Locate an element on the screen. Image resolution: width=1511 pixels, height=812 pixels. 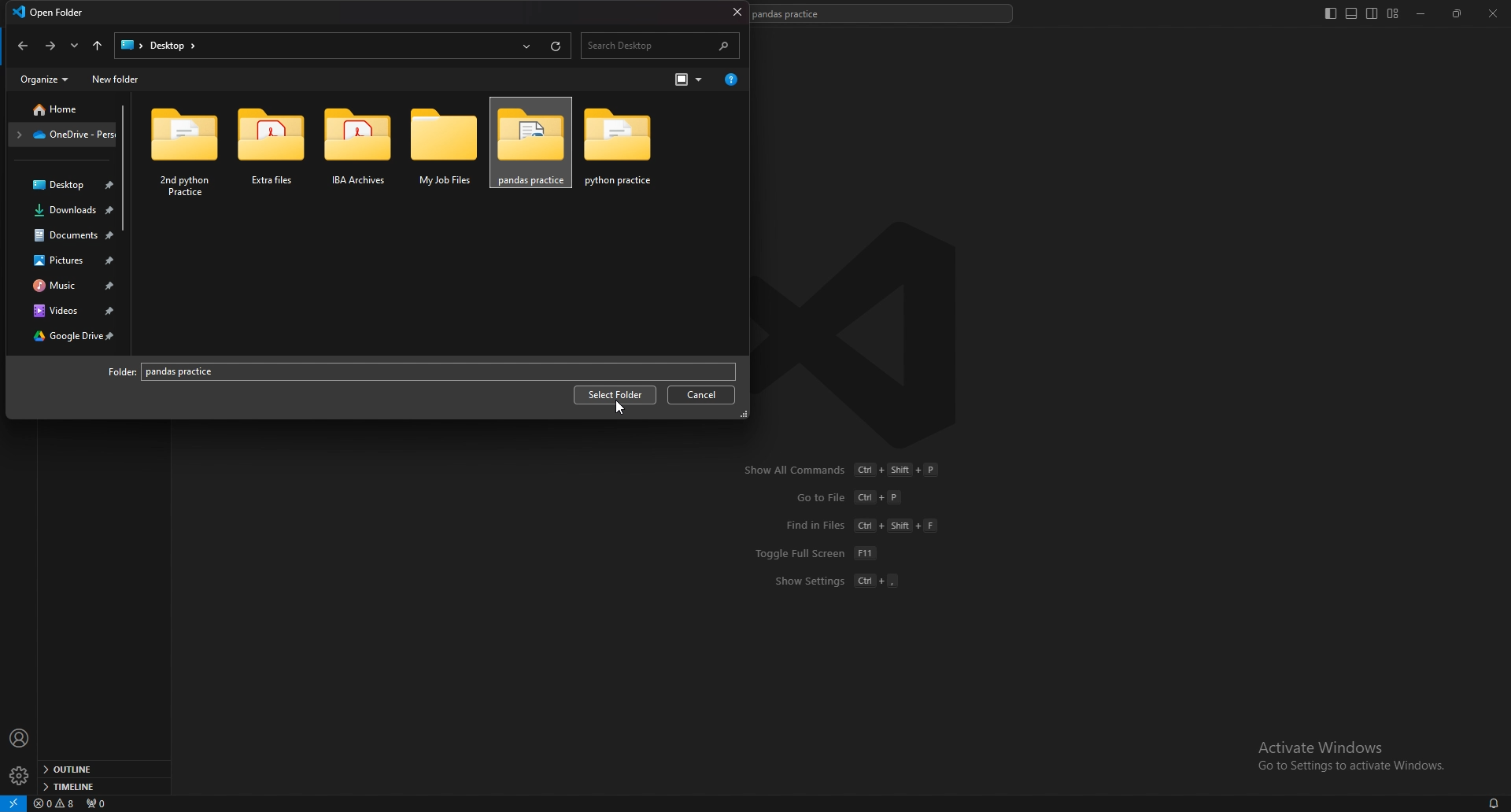
folder is located at coordinates (65, 108).